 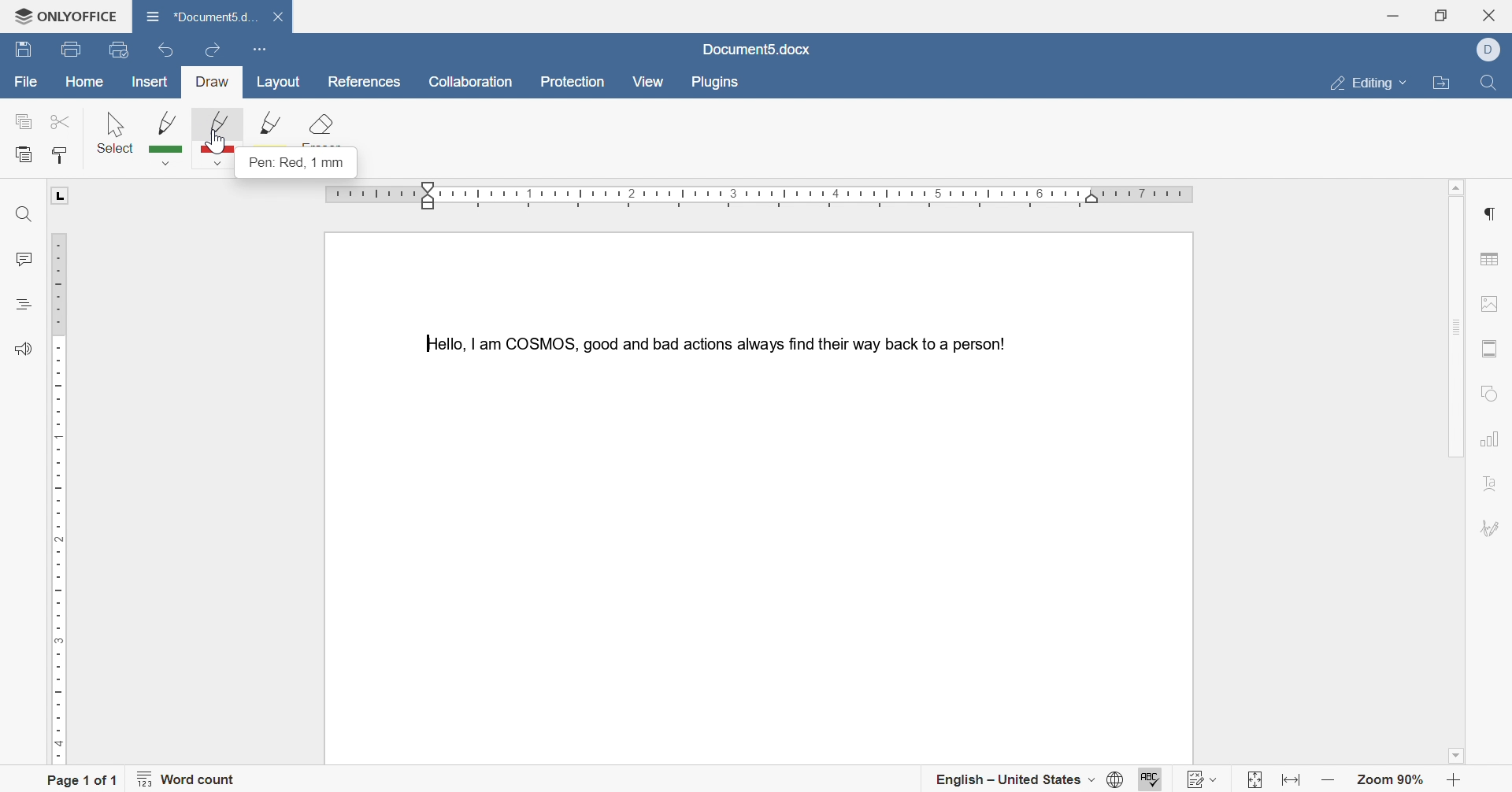 I want to click on L, so click(x=61, y=196).